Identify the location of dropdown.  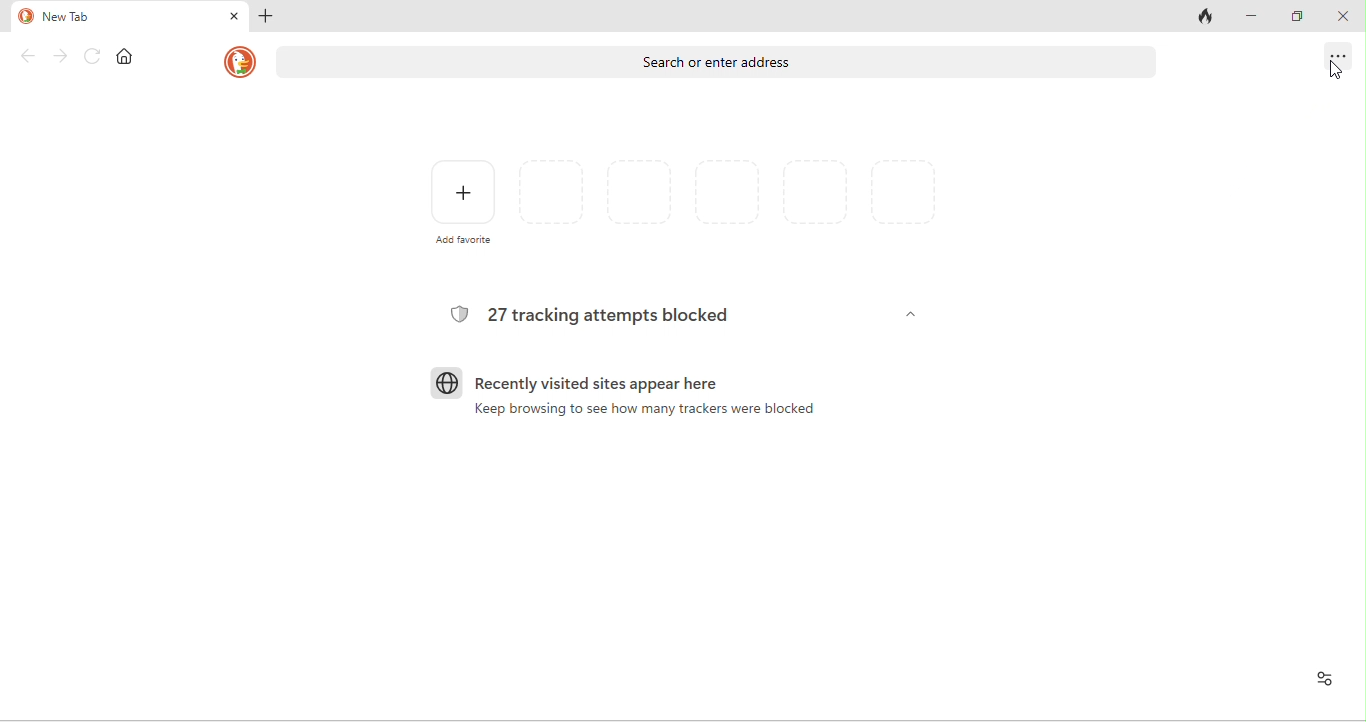
(910, 318).